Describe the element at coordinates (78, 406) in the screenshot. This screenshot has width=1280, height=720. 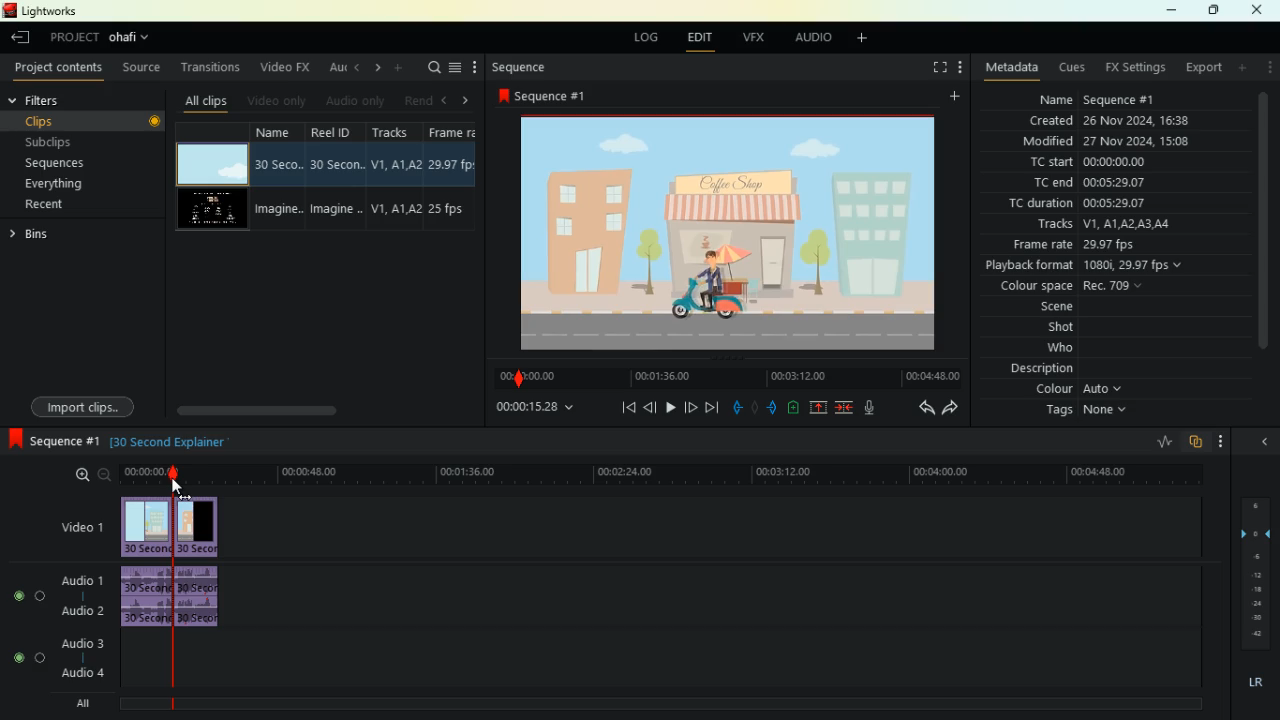
I see `import clips` at that location.